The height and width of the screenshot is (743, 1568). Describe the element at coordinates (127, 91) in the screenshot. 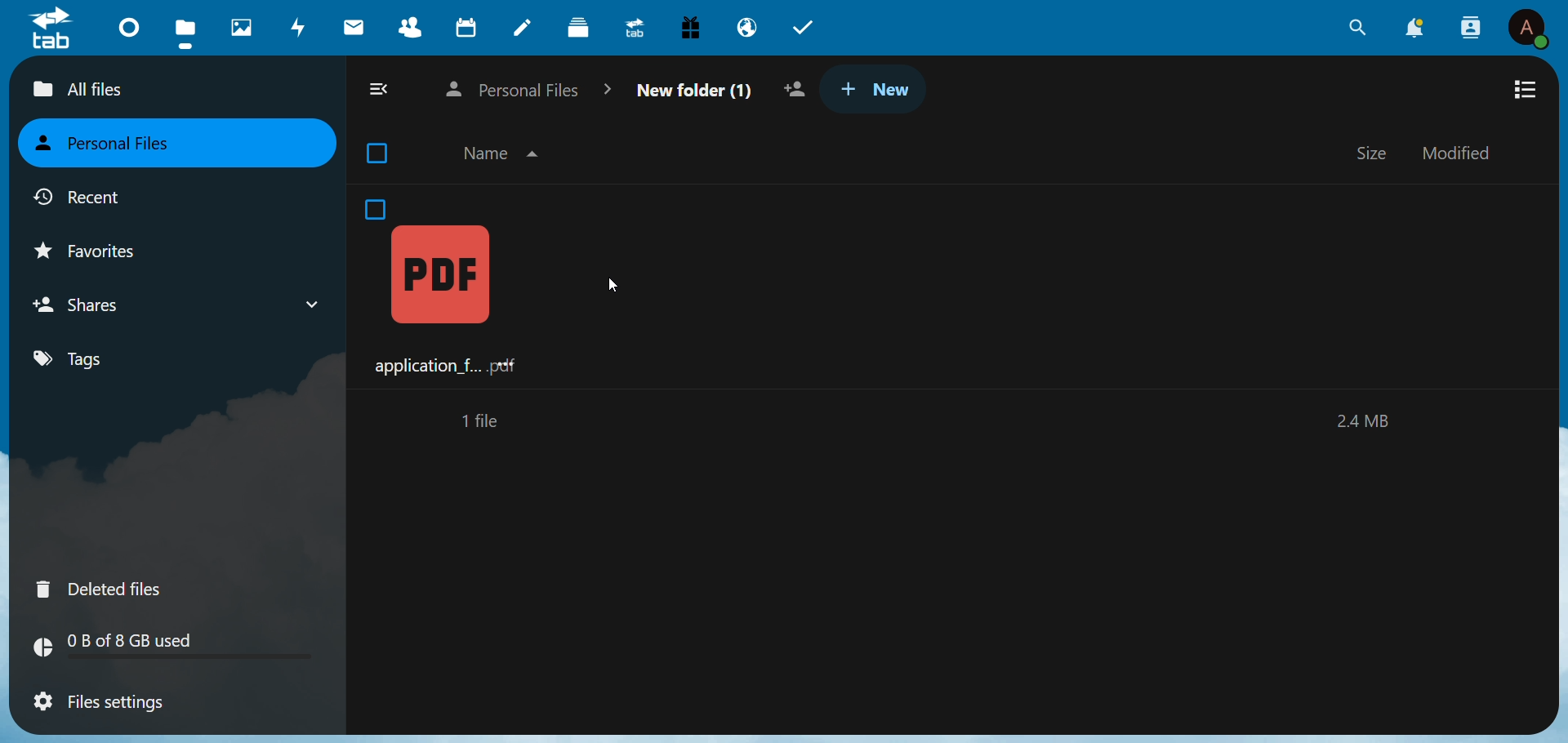

I see `all files` at that location.